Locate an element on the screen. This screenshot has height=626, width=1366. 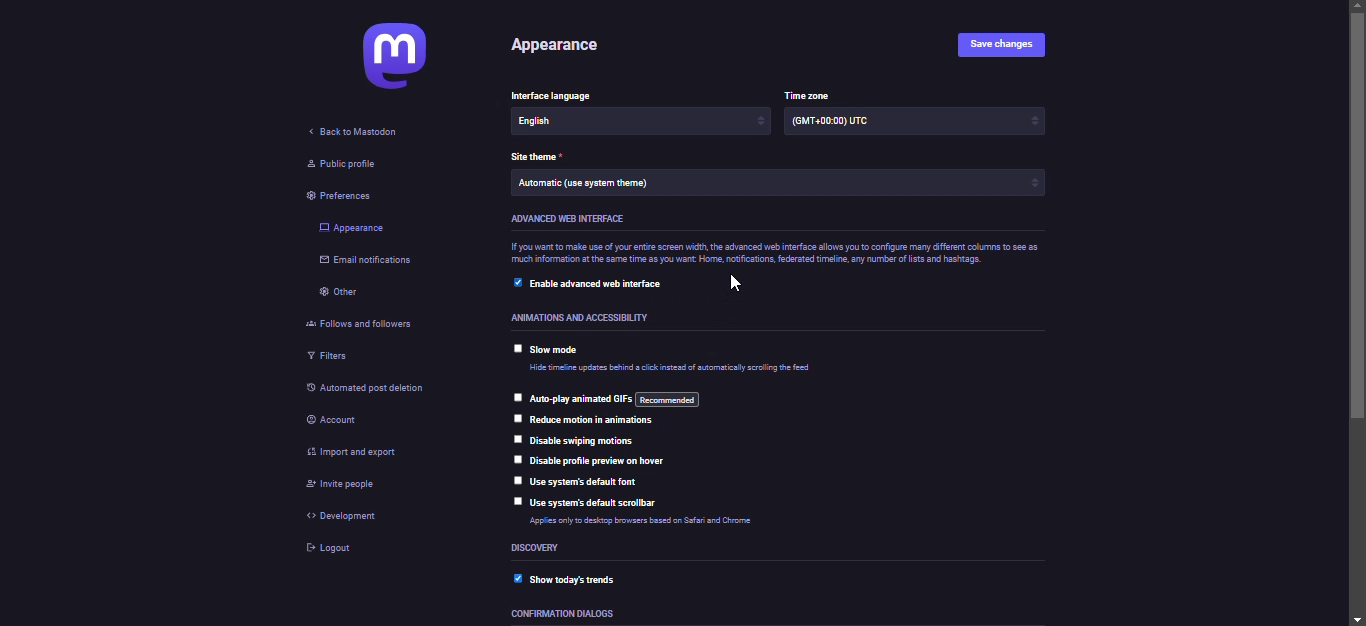
Interface language is located at coordinates (559, 97).